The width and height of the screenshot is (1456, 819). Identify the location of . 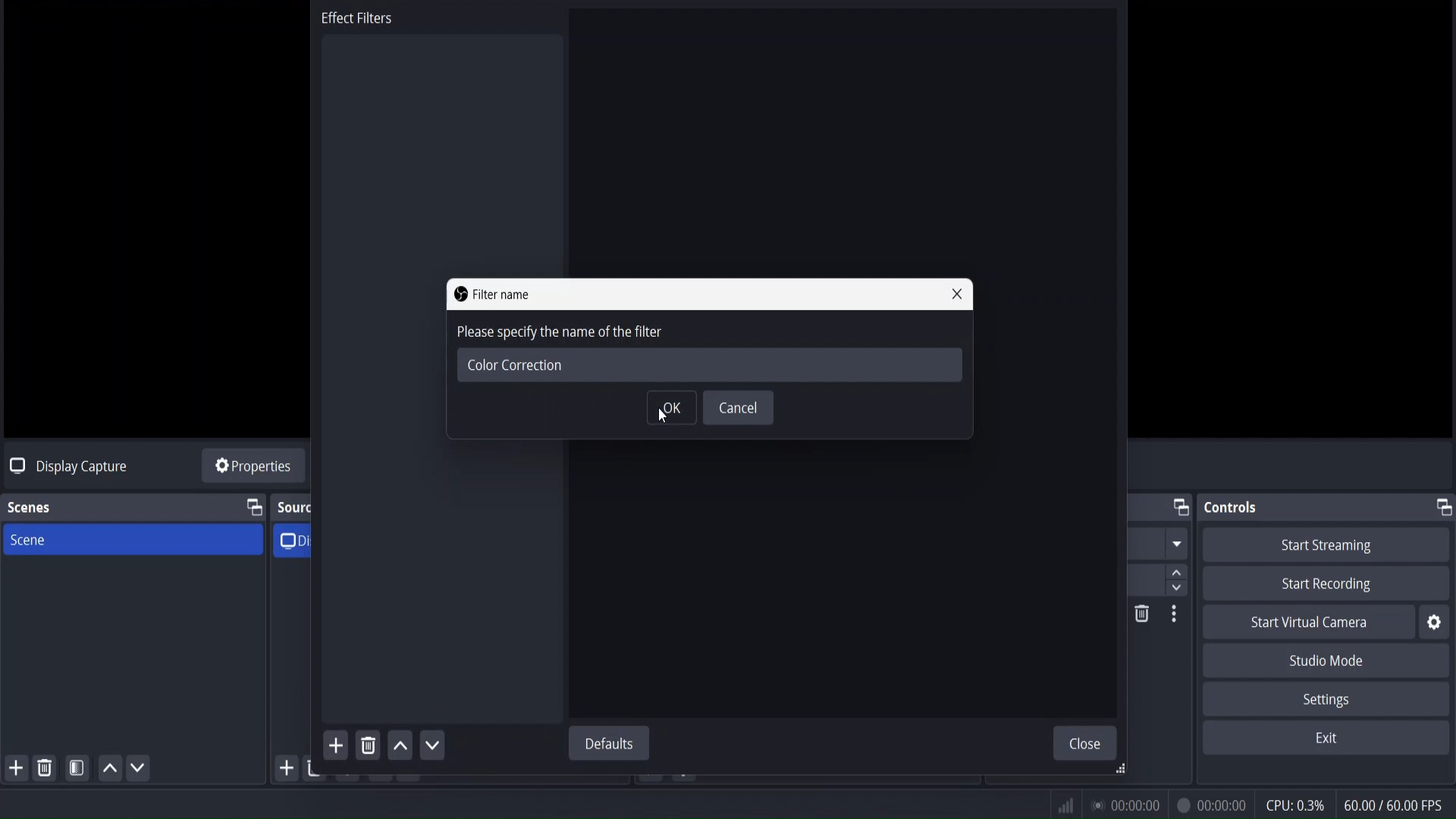
(1175, 617).